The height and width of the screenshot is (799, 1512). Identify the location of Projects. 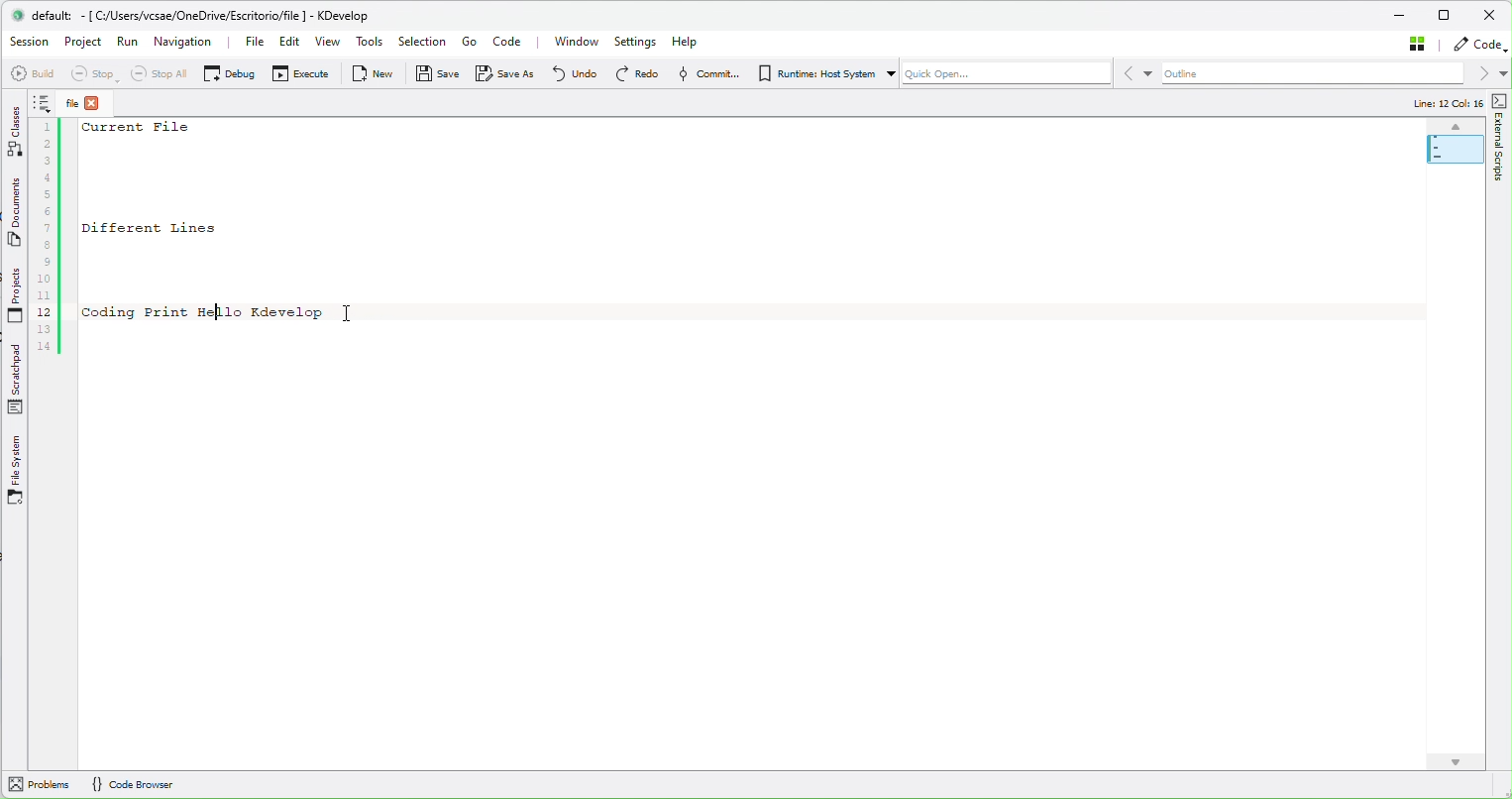
(14, 293).